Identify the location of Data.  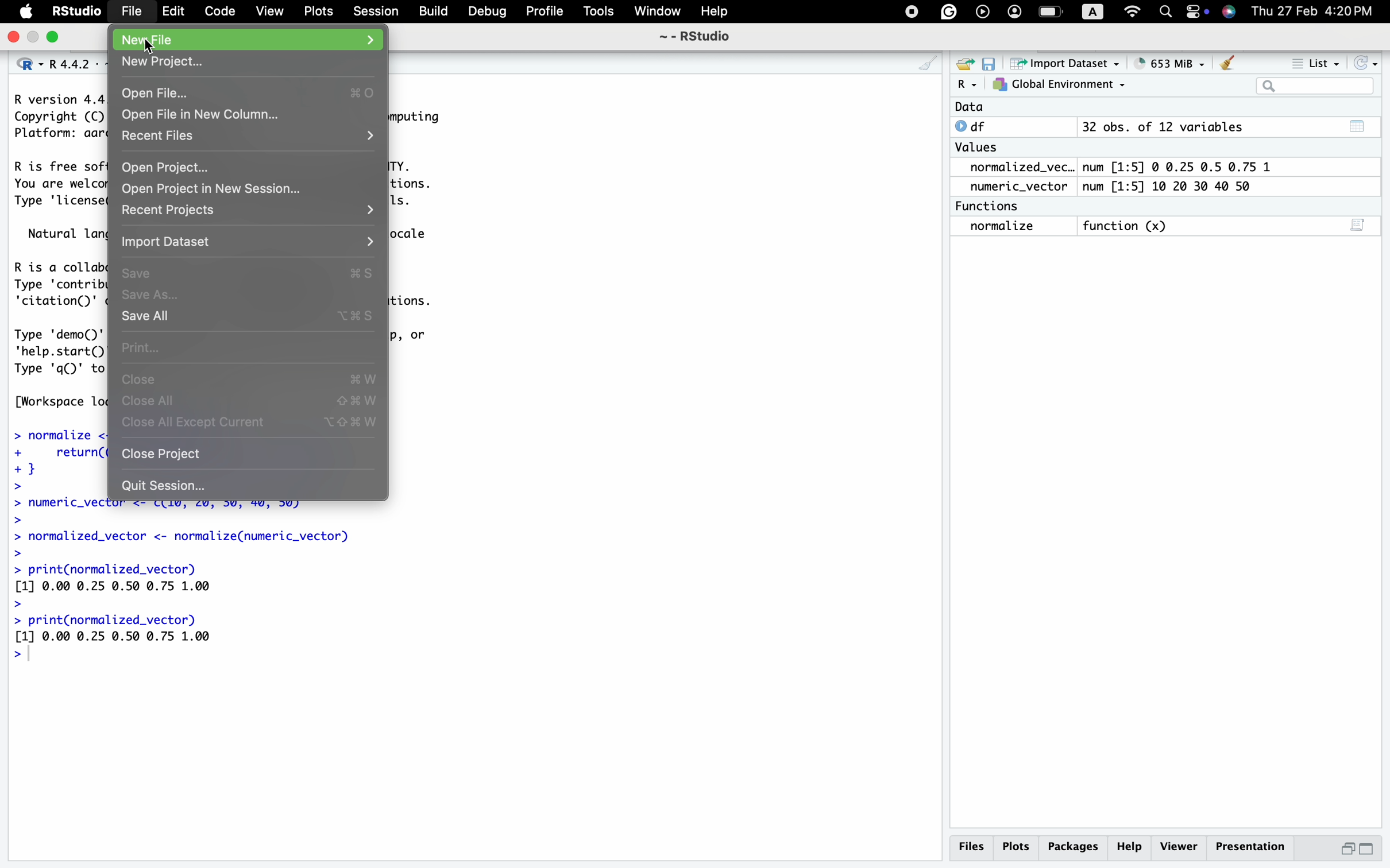
(970, 107).